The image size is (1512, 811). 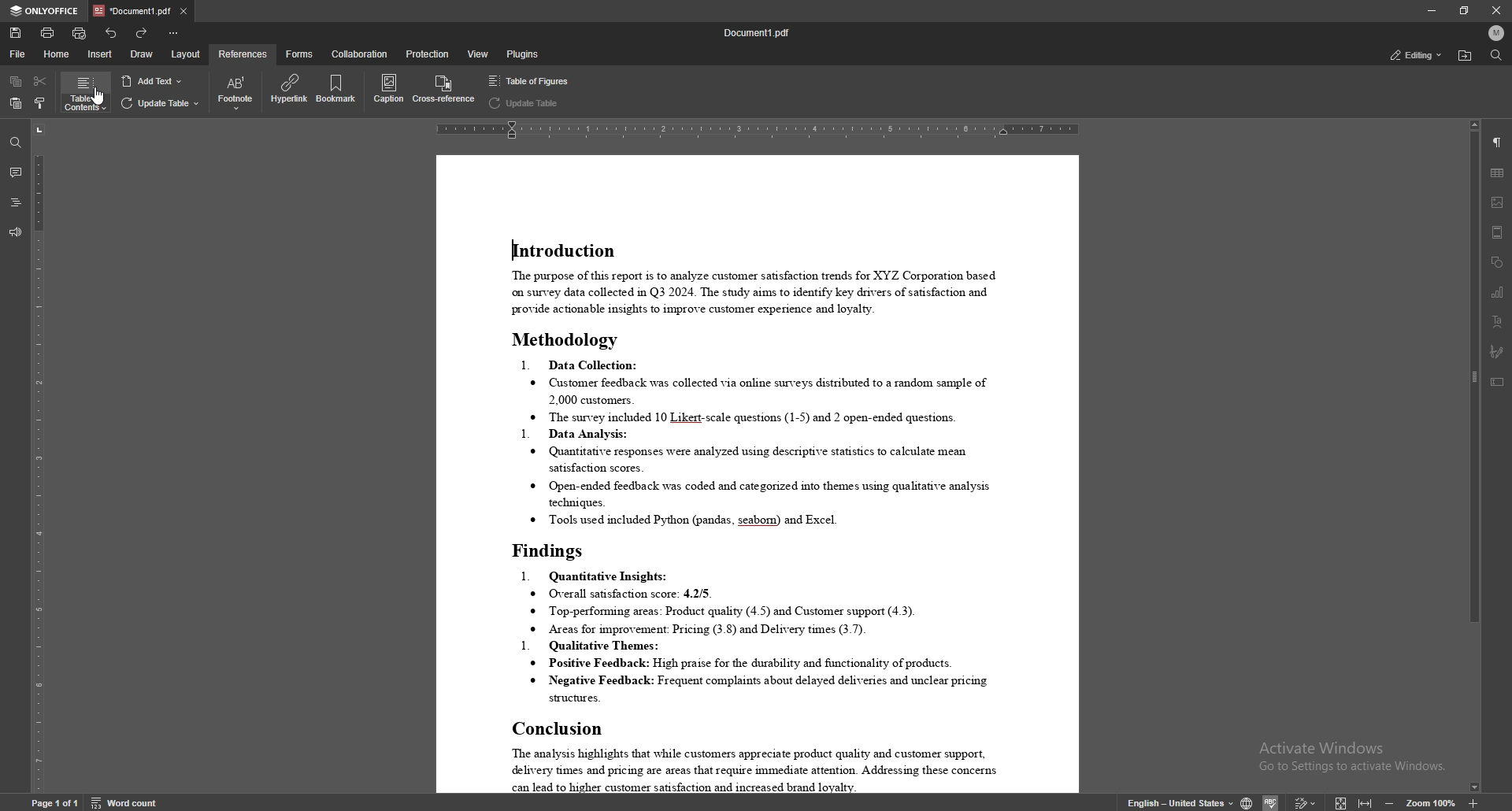 I want to click on references, so click(x=243, y=54).